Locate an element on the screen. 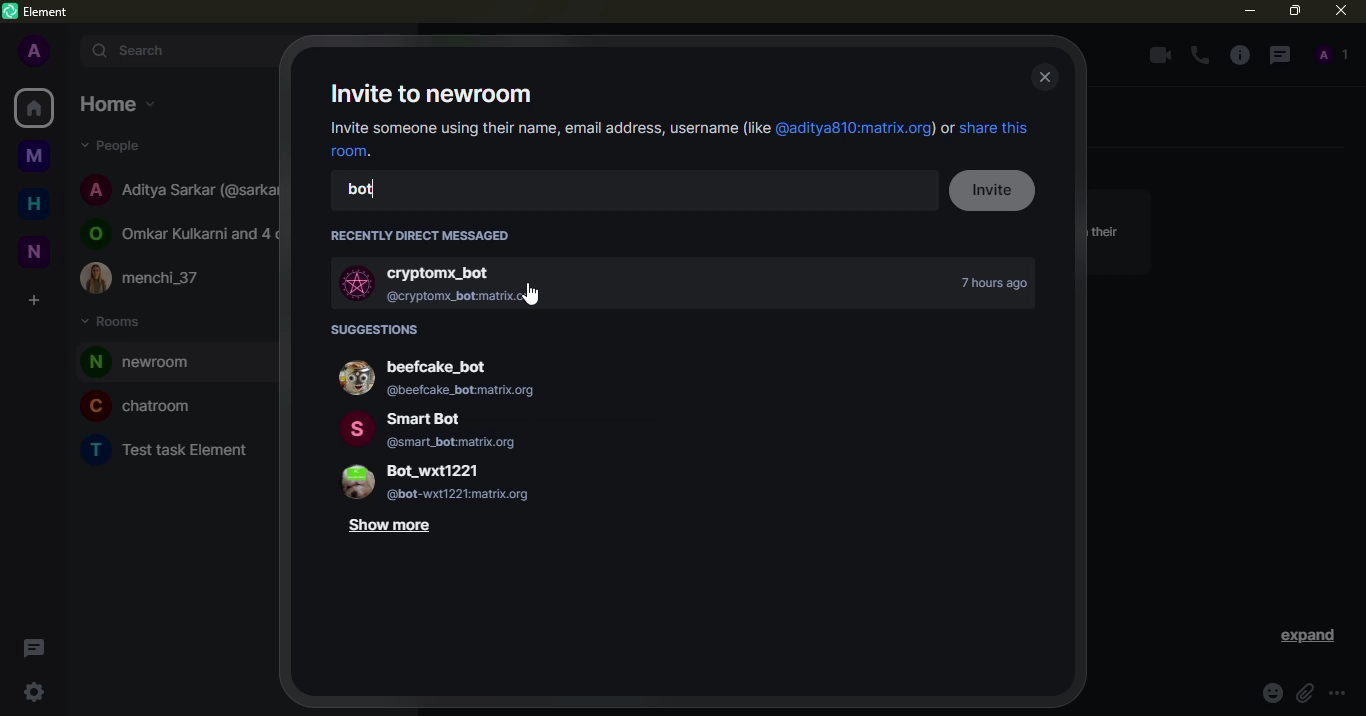  bot is located at coordinates (379, 190).